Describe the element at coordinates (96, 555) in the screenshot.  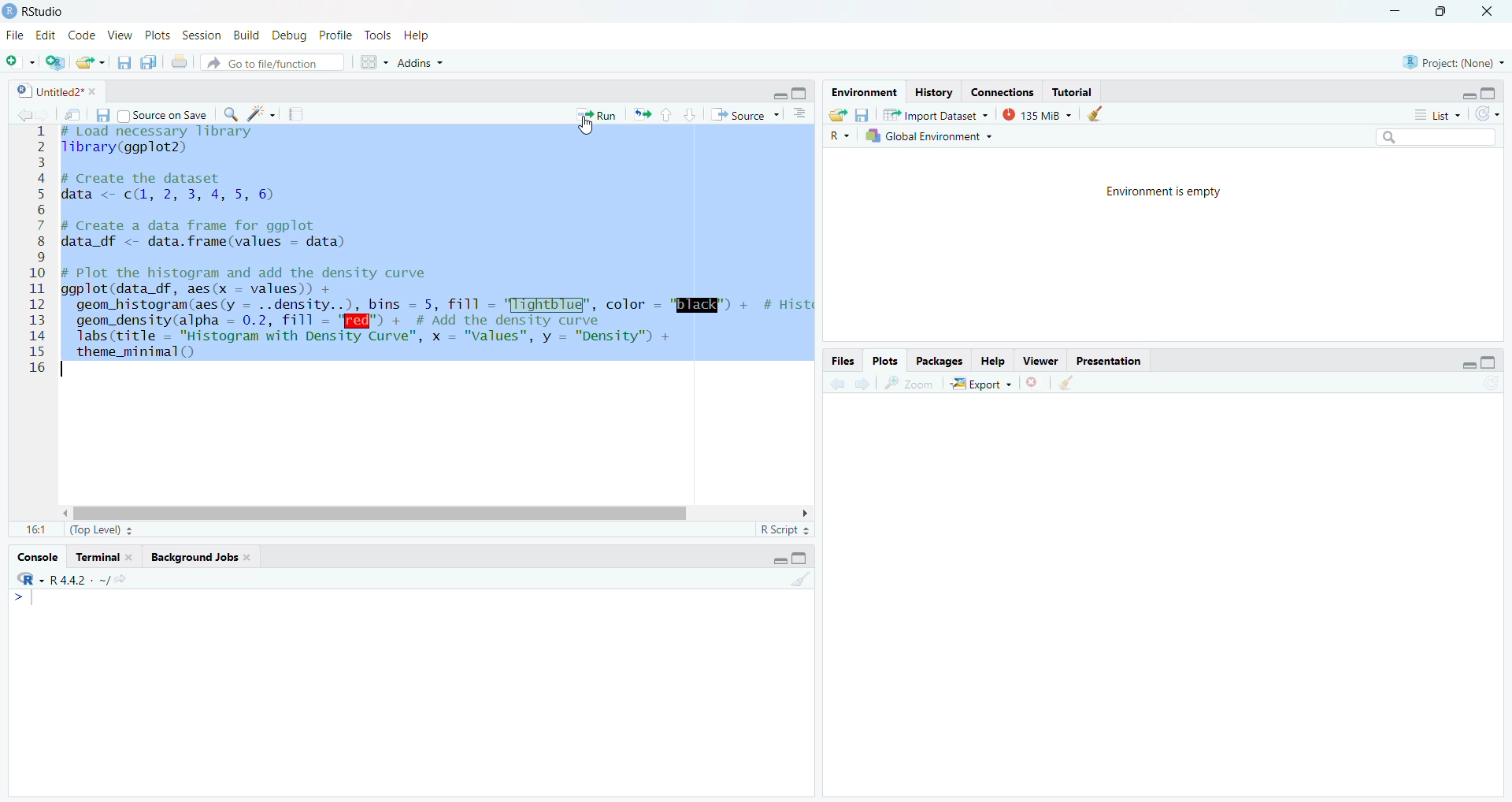
I see `Terminal` at that location.